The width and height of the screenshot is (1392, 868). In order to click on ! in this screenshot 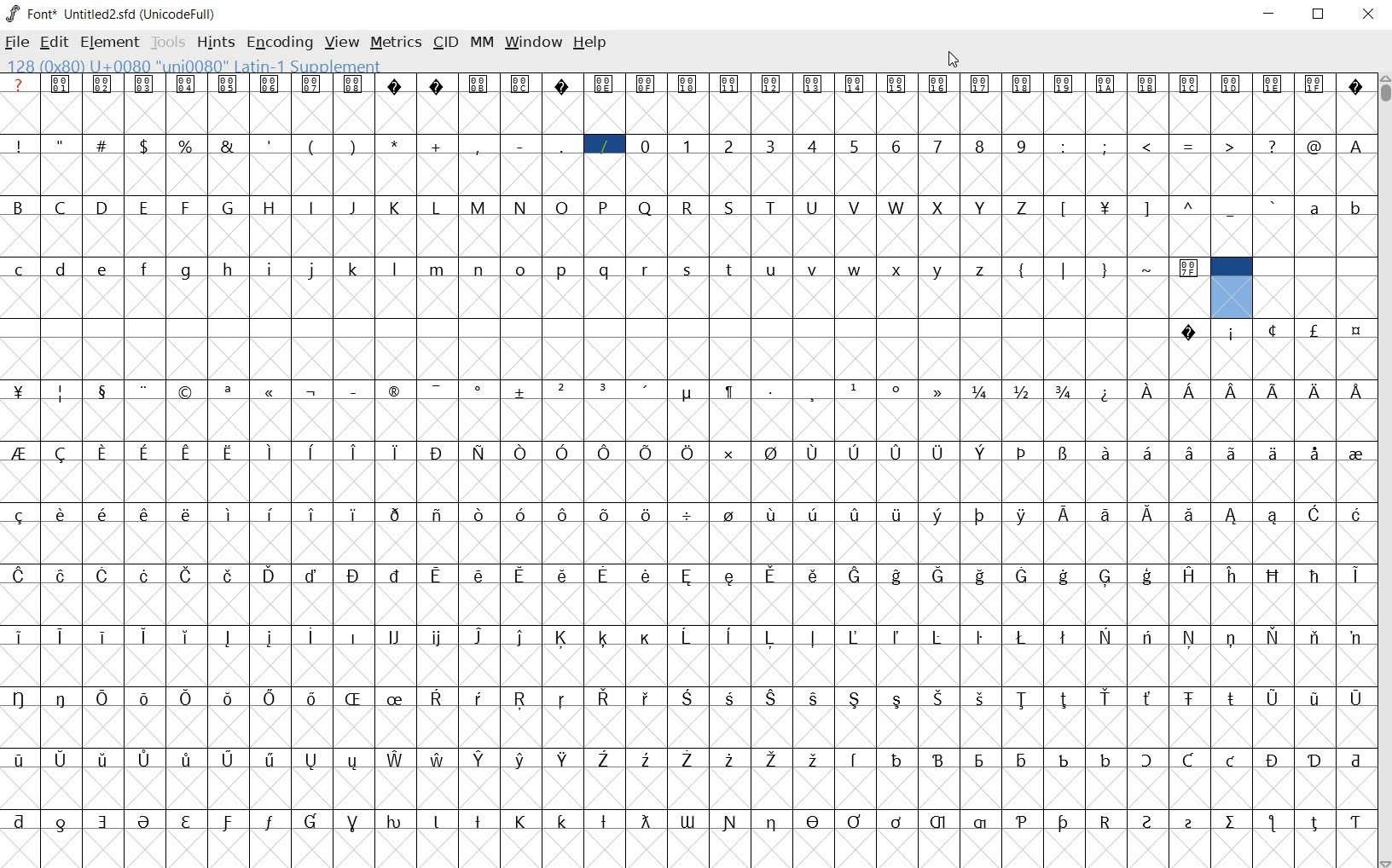, I will do `click(19, 145)`.